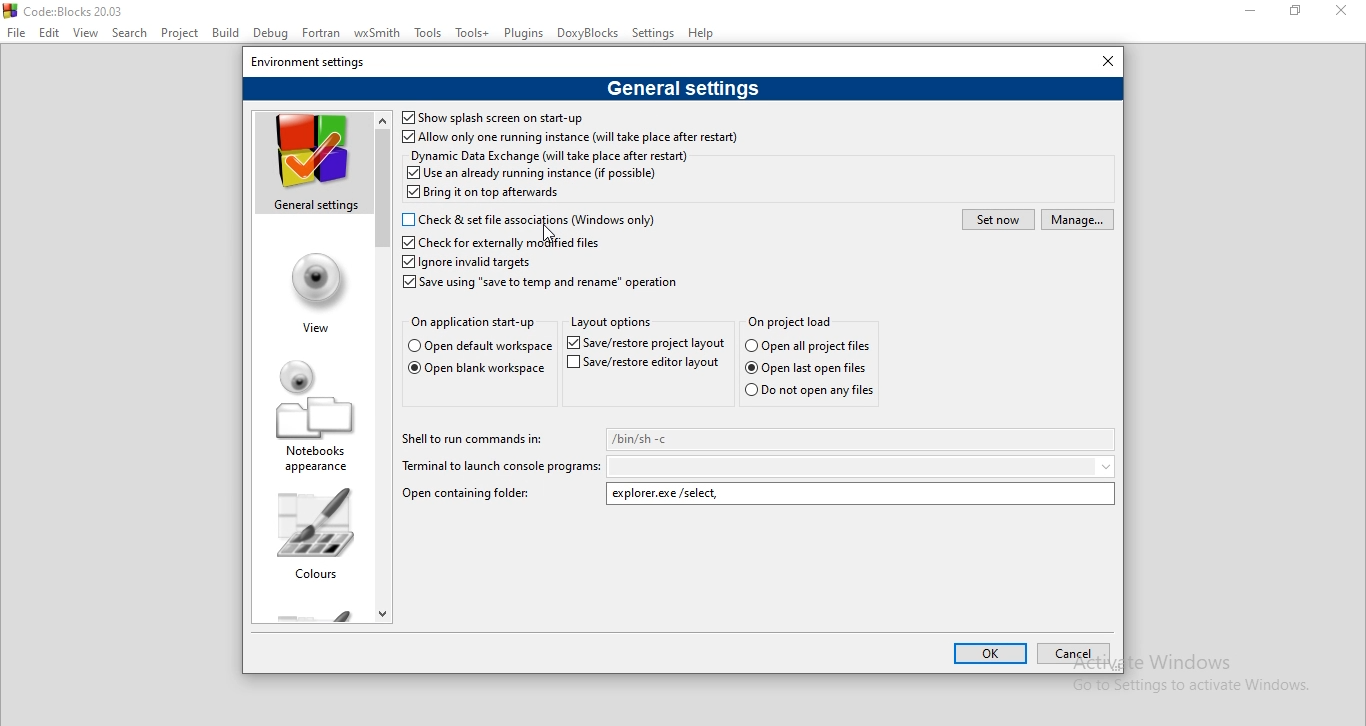 This screenshot has height=726, width=1366. What do you see at coordinates (313, 533) in the screenshot?
I see `colours` at bounding box center [313, 533].